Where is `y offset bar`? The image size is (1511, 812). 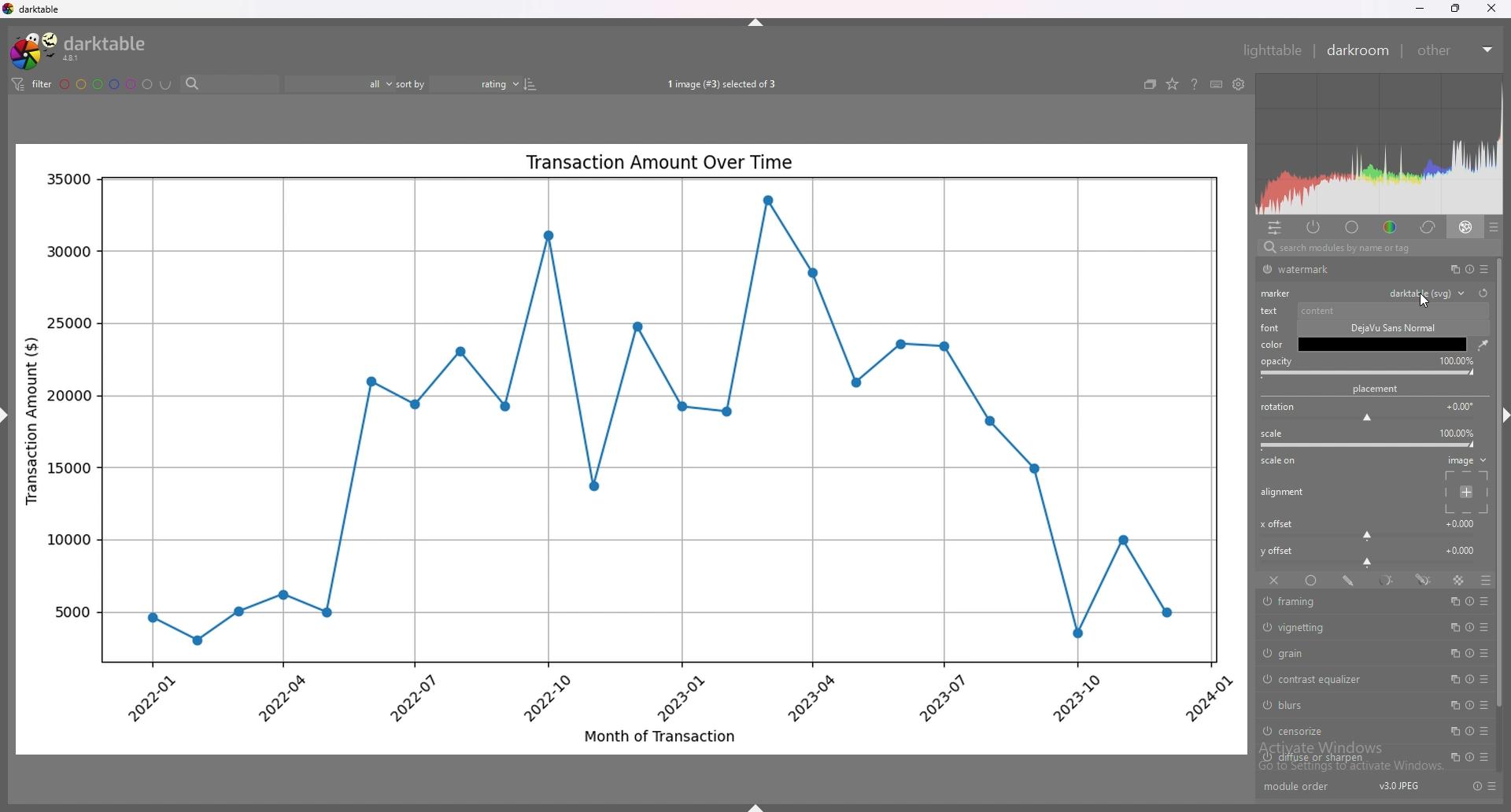 y offset bar is located at coordinates (1369, 563).